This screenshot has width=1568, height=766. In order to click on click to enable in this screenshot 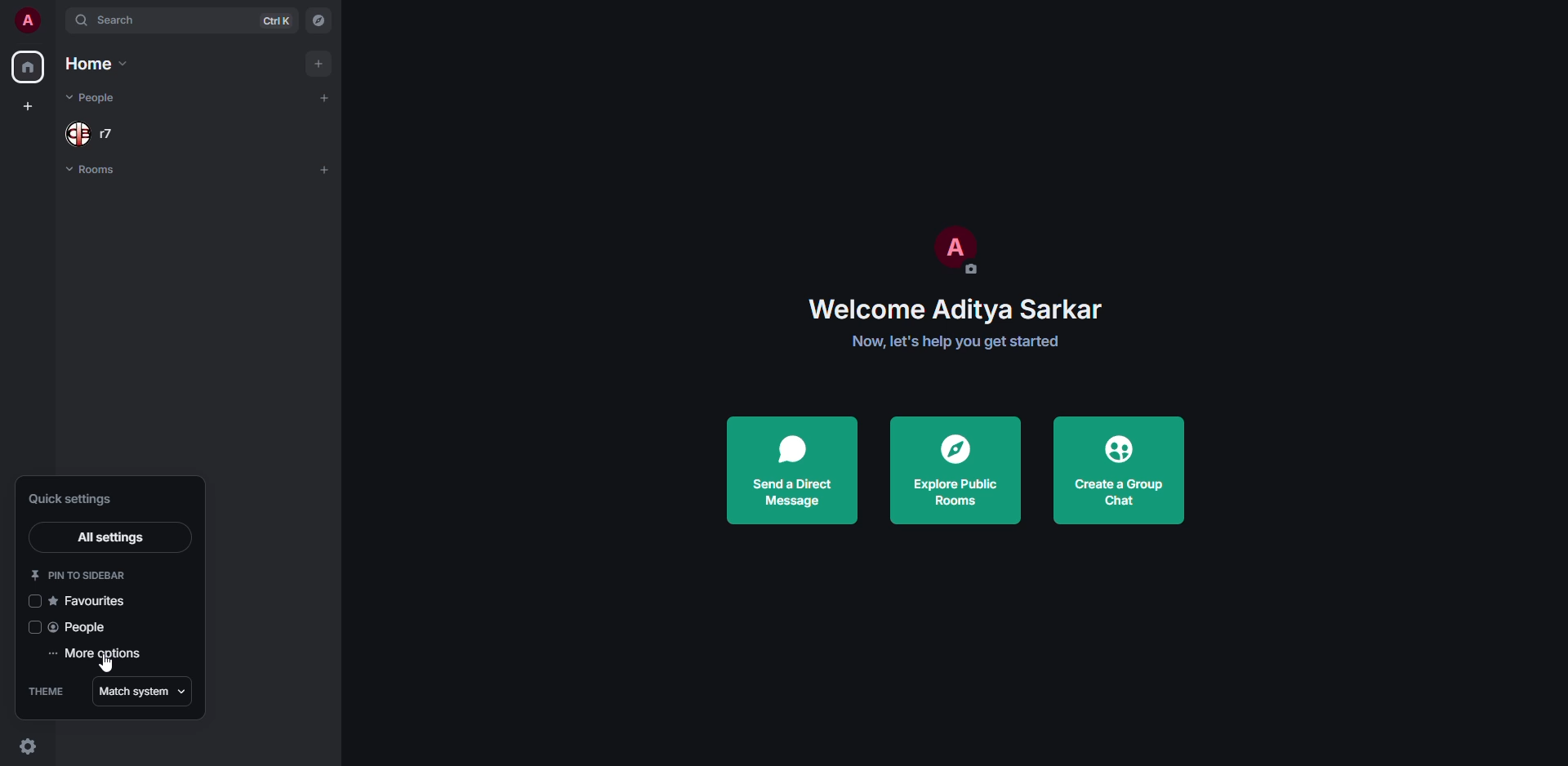, I will do `click(33, 629)`.